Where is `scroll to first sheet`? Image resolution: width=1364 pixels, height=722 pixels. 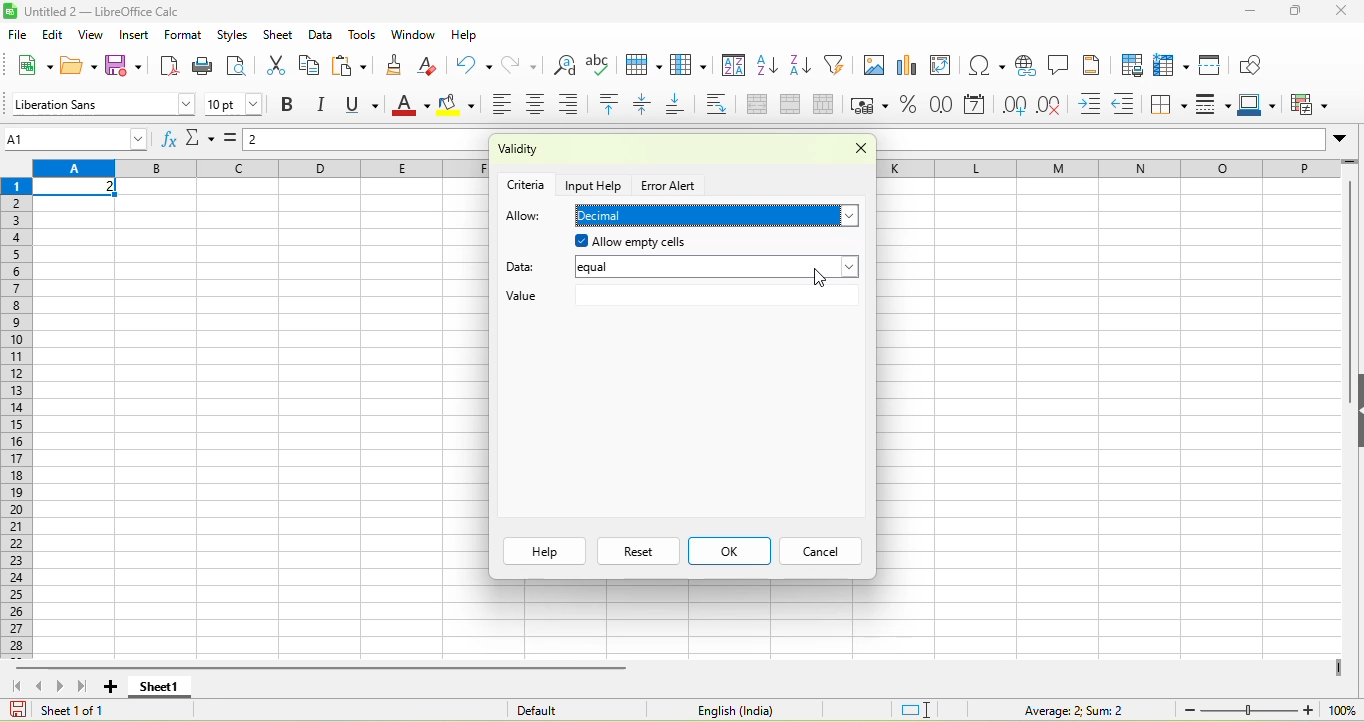
scroll to first sheet is located at coordinates (15, 685).